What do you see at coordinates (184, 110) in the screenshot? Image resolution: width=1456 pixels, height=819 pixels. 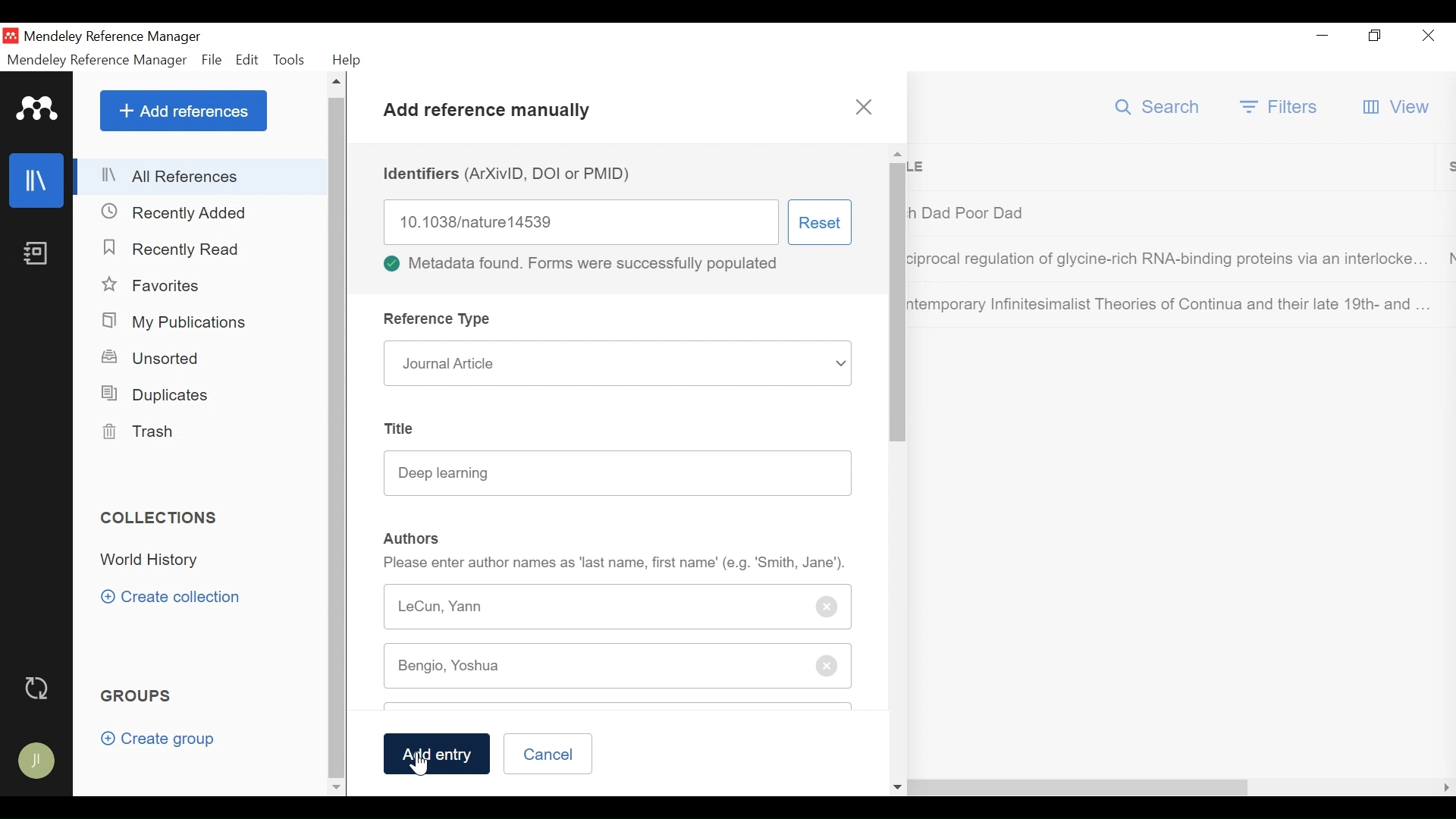 I see `Add References` at bounding box center [184, 110].